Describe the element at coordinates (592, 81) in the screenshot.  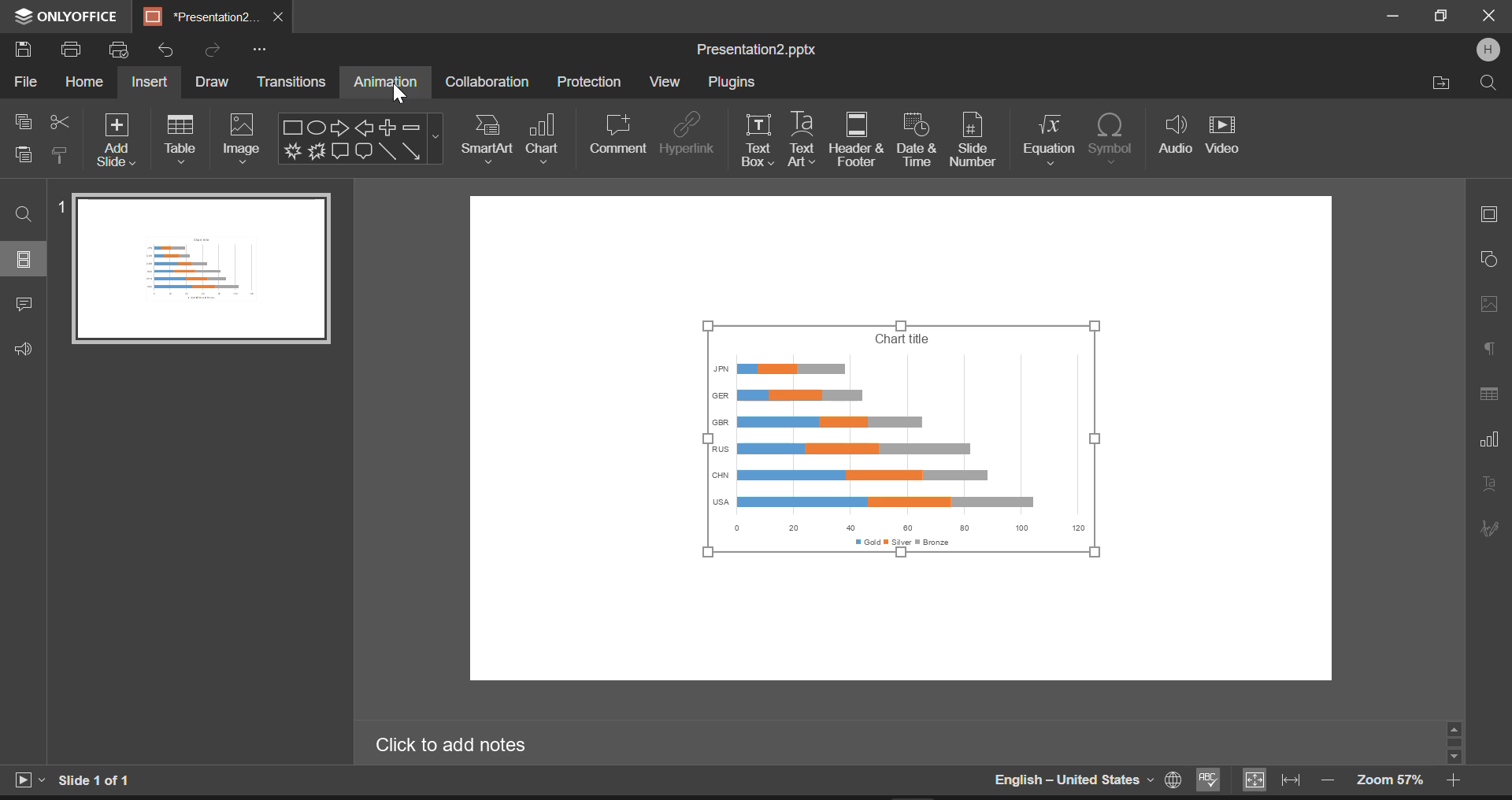
I see `Protection` at that location.